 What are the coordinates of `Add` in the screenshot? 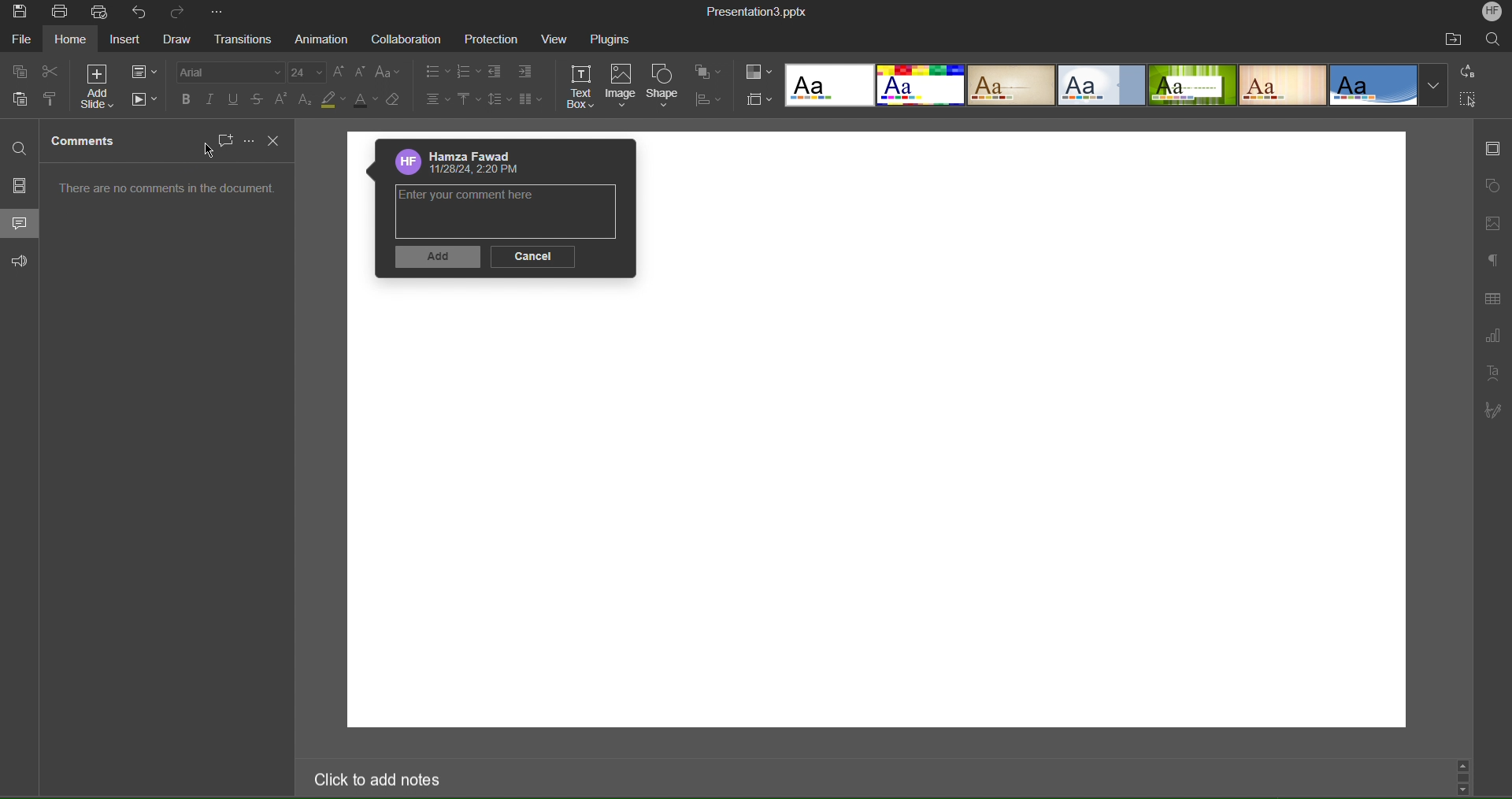 It's located at (437, 259).